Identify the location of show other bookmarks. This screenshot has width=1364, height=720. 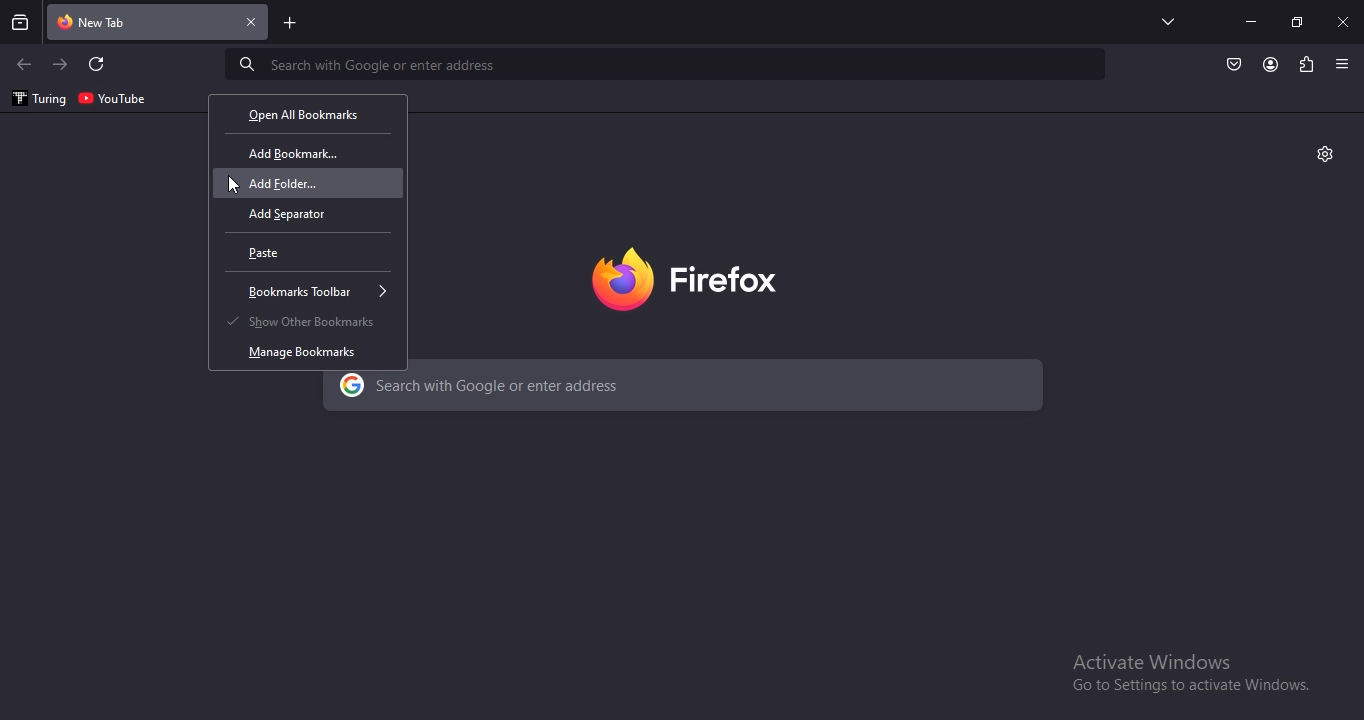
(305, 321).